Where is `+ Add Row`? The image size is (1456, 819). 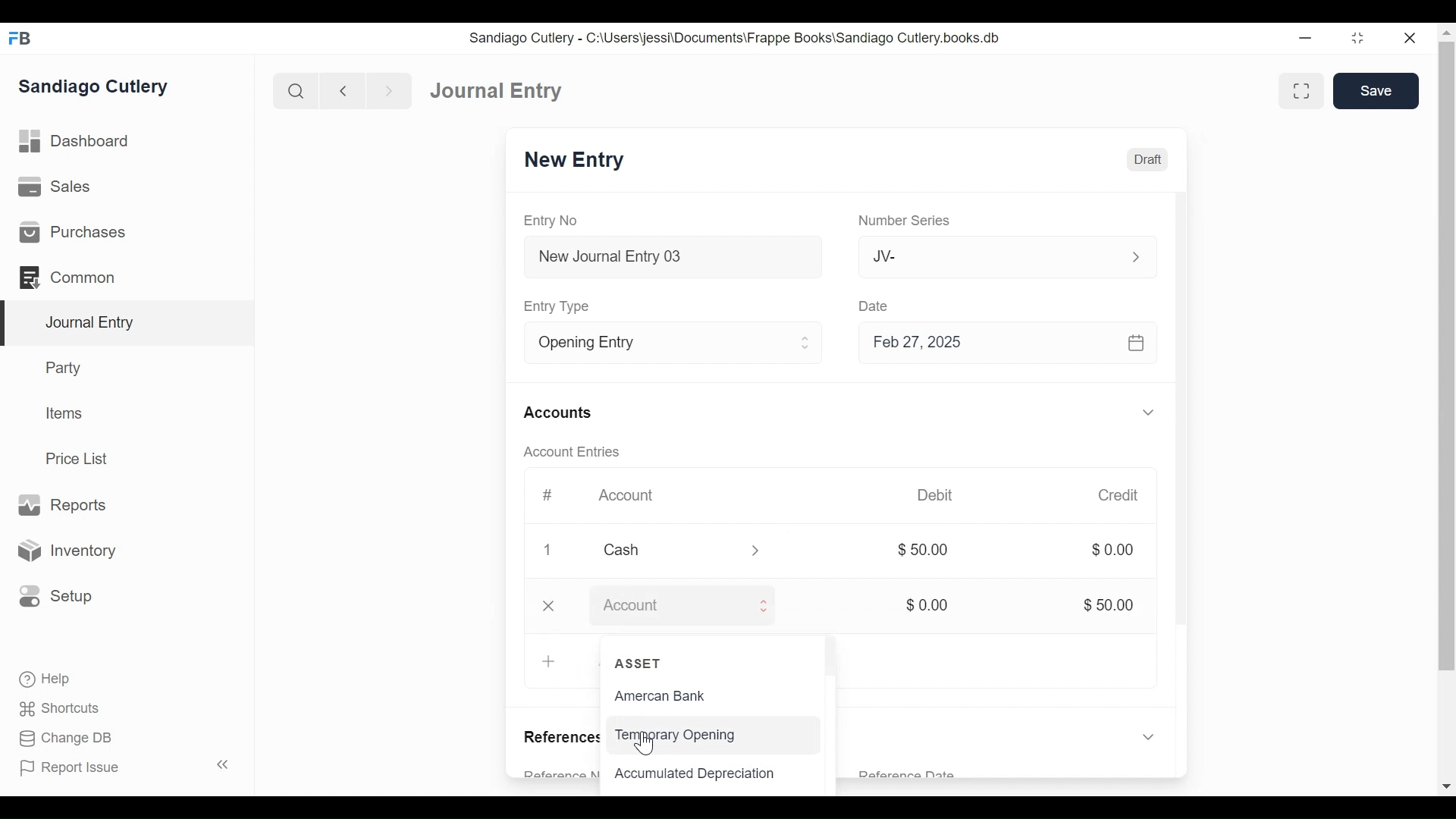
+ Add Row is located at coordinates (552, 661).